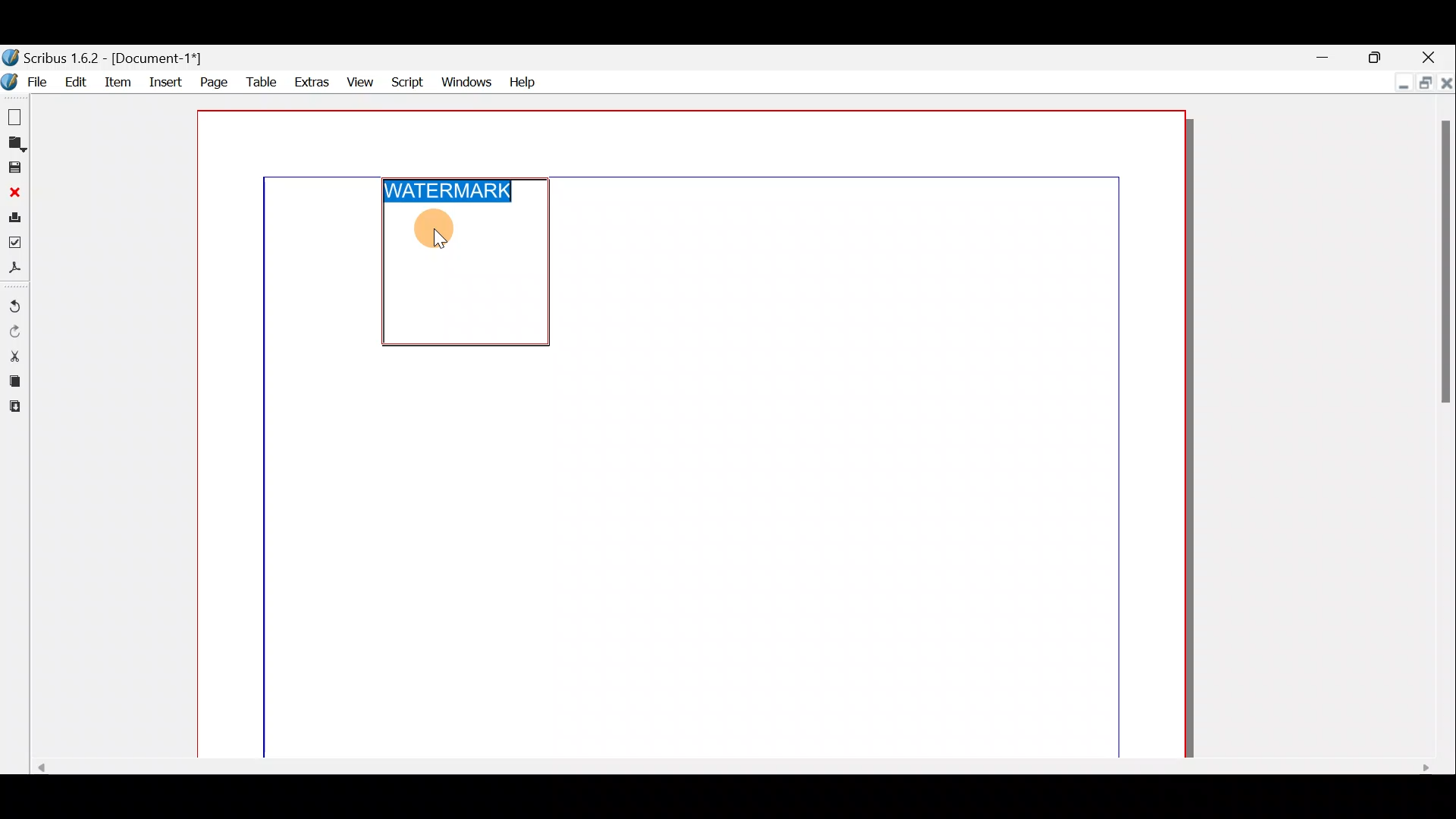 The width and height of the screenshot is (1456, 819). What do you see at coordinates (435, 228) in the screenshot?
I see `CIRCLE` at bounding box center [435, 228].